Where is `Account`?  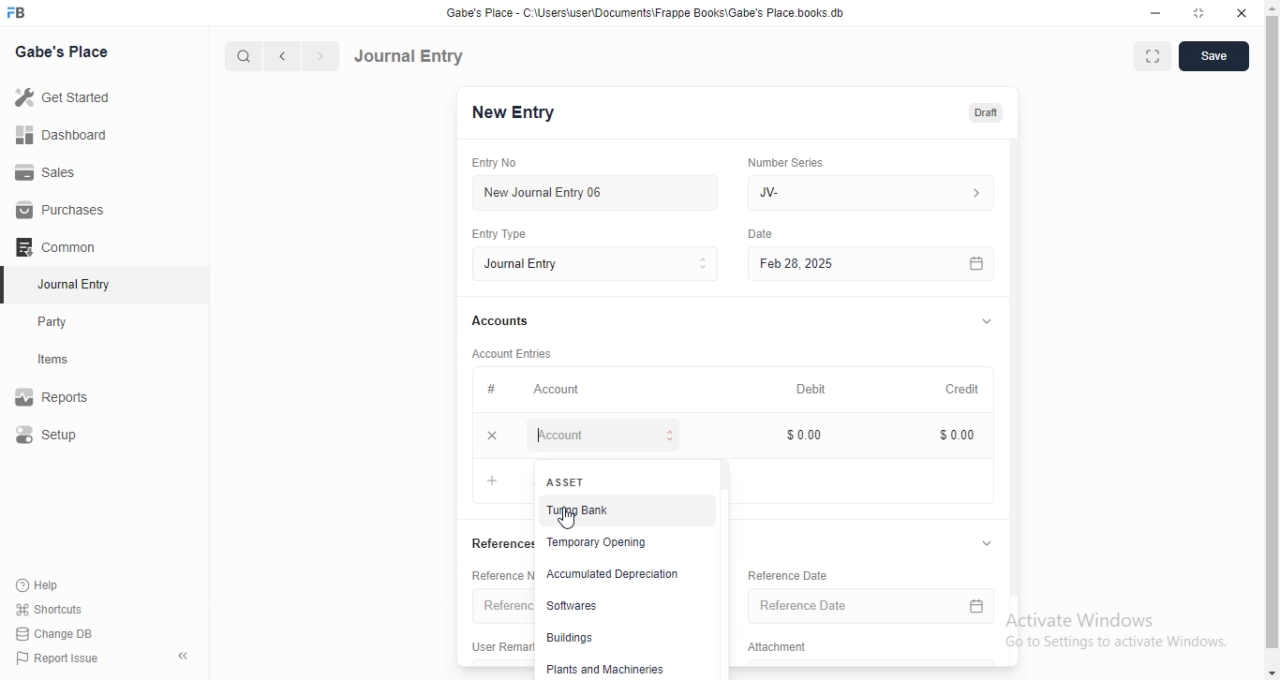 Account is located at coordinates (607, 435).